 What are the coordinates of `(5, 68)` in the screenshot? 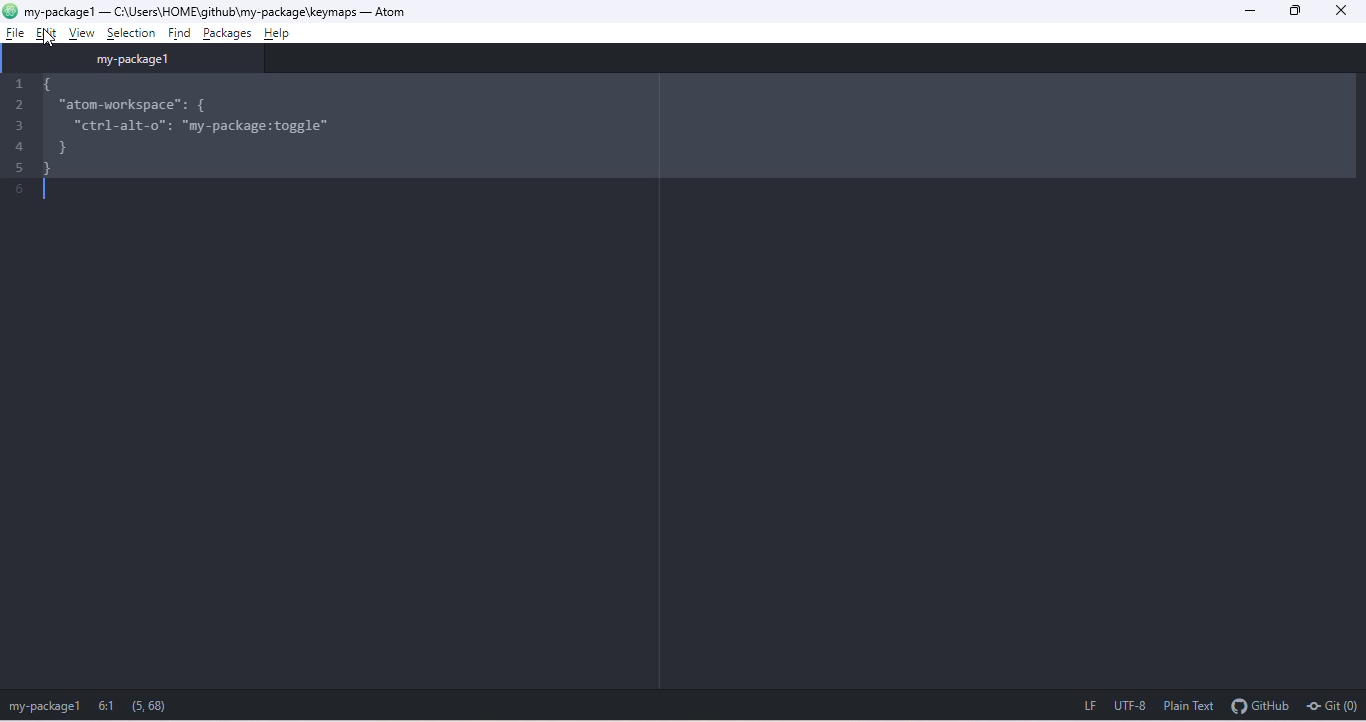 It's located at (152, 704).